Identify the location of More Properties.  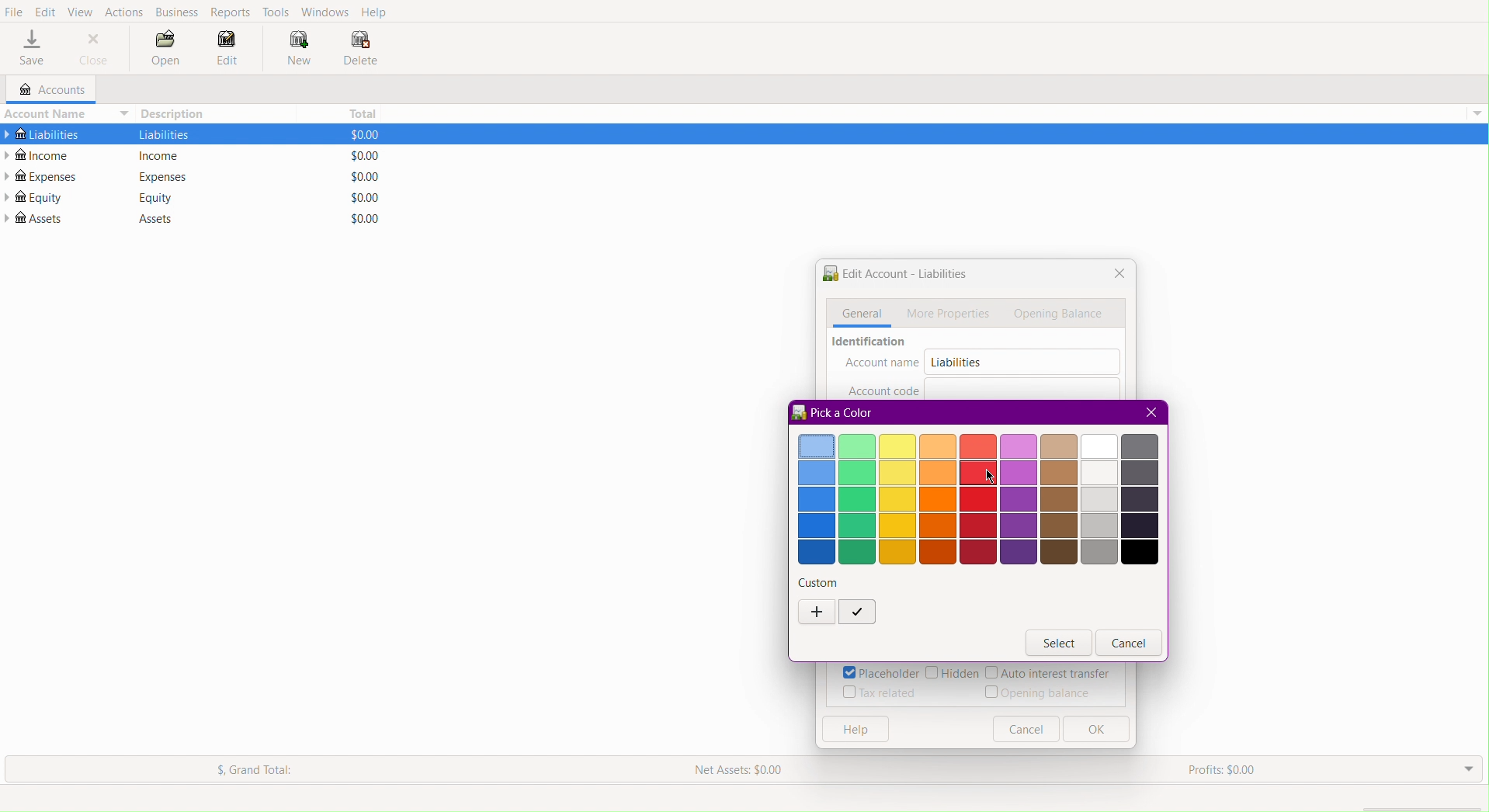
(950, 313).